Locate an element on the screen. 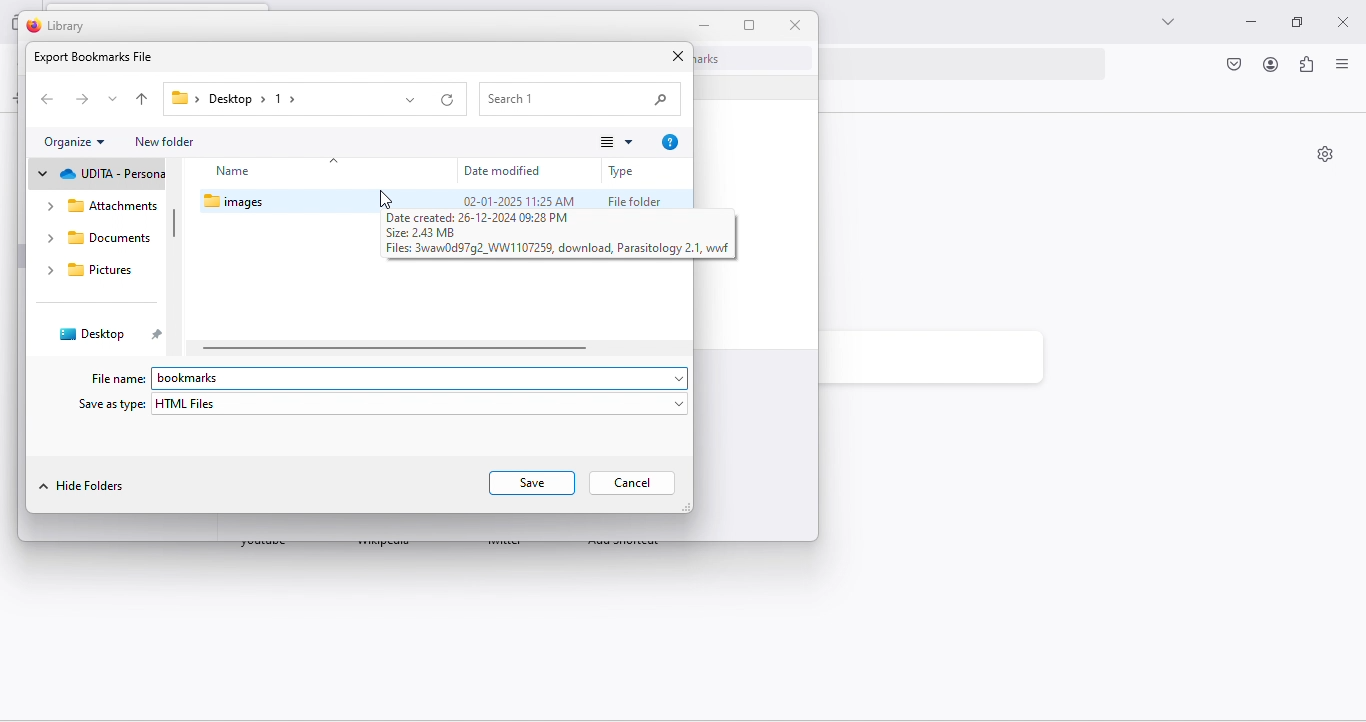 Image resolution: width=1366 pixels, height=722 pixels. 02-01-2025 11:25 AM is located at coordinates (517, 200).